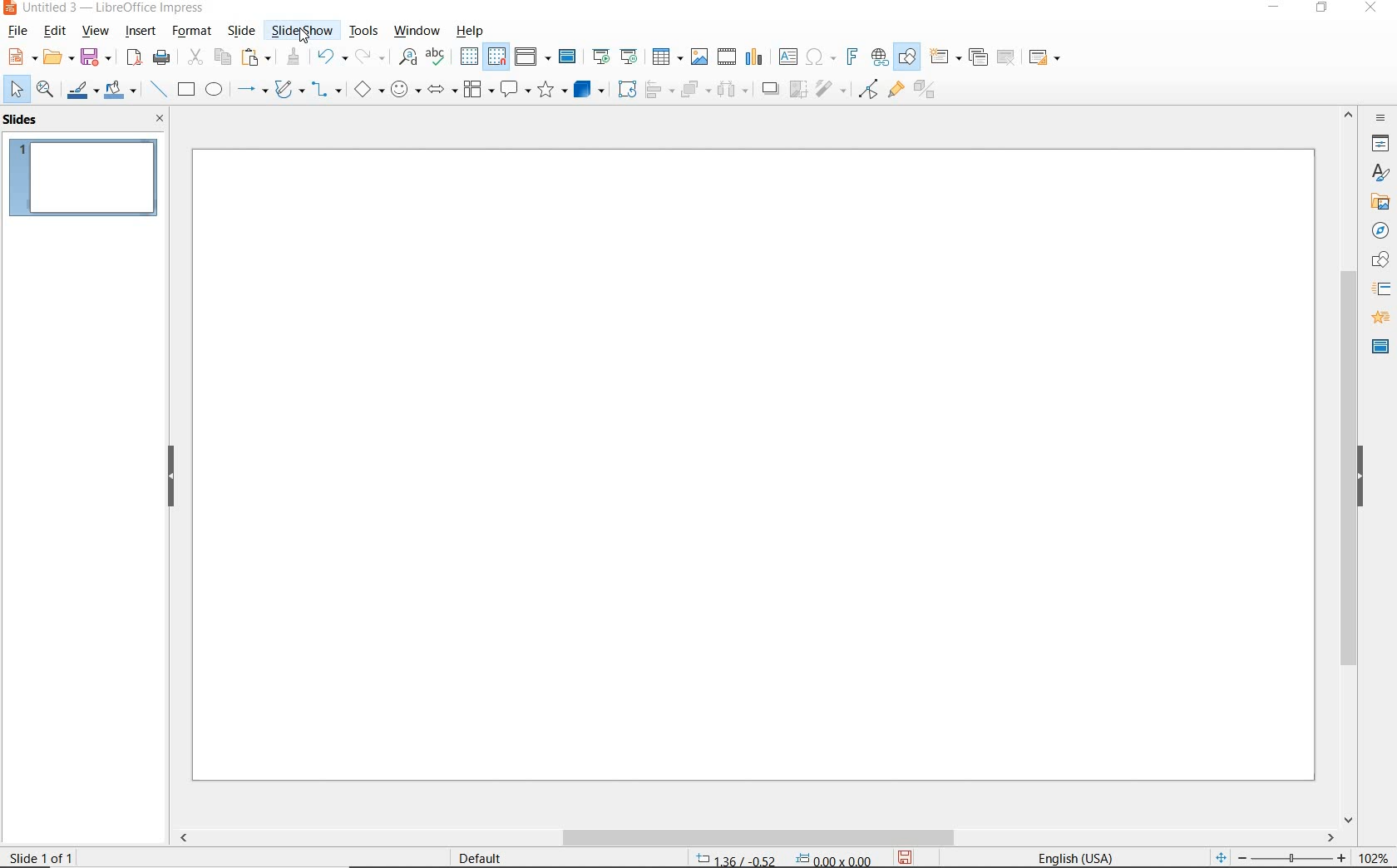 Image resolution: width=1397 pixels, height=868 pixels. What do you see at coordinates (1276, 8) in the screenshot?
I see `MINIMIZE` at bounding box center [1276, 8].